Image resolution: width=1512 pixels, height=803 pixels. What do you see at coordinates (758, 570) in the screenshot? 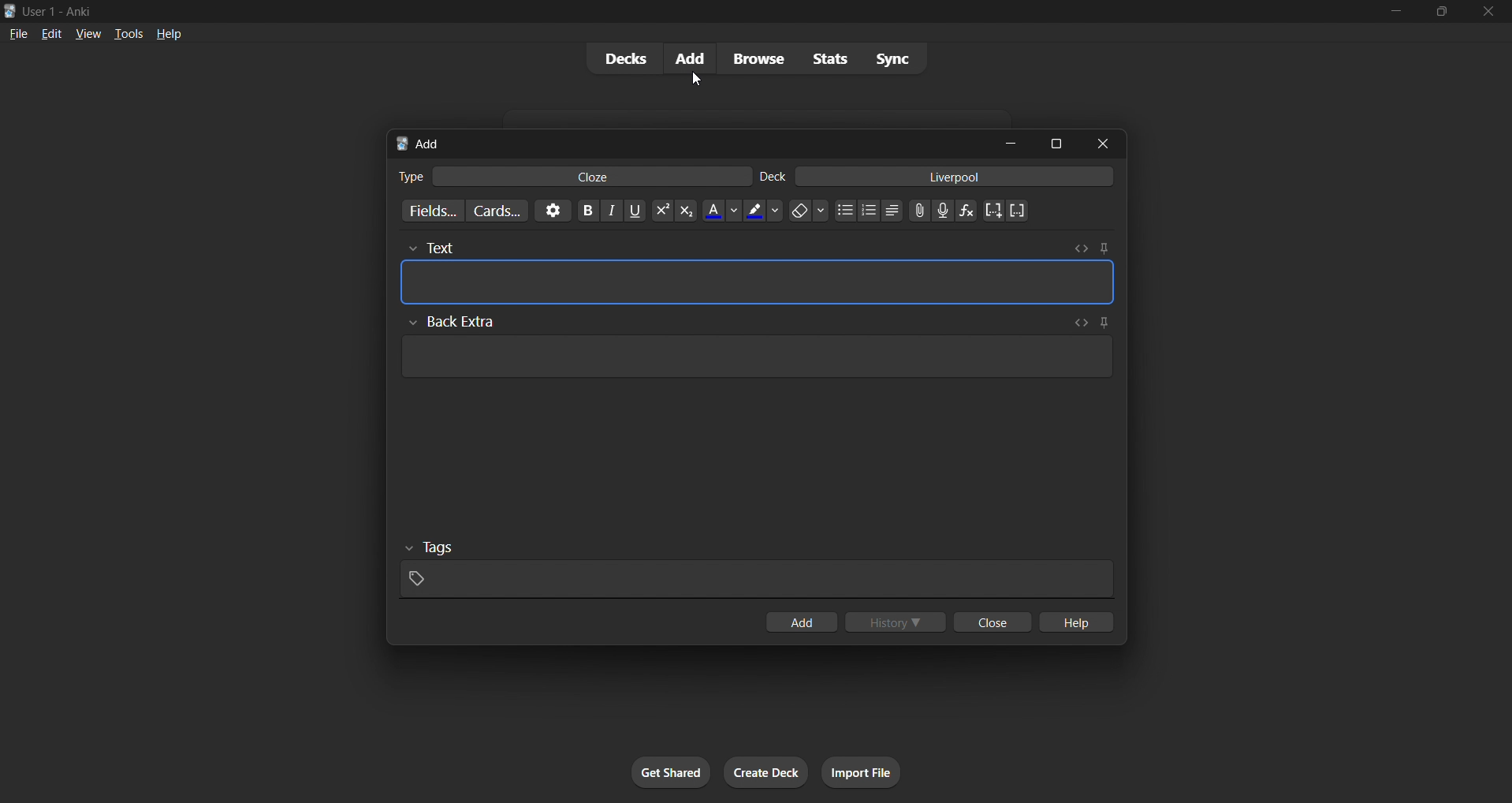
I see `card tags` at bounding box center [758, 570].